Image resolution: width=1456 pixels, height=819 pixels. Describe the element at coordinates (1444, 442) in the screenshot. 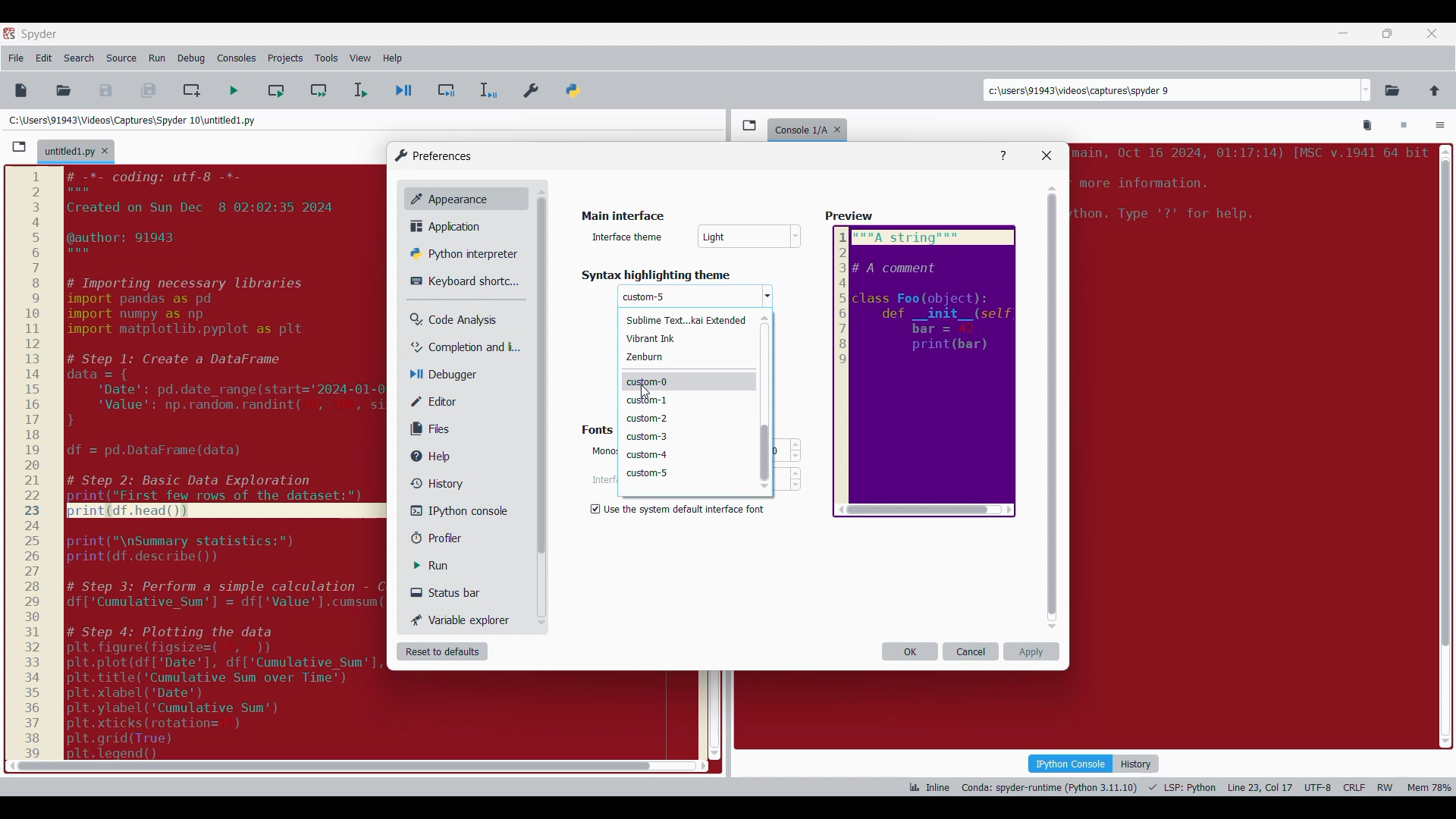

I see `scroll bar` at that location.